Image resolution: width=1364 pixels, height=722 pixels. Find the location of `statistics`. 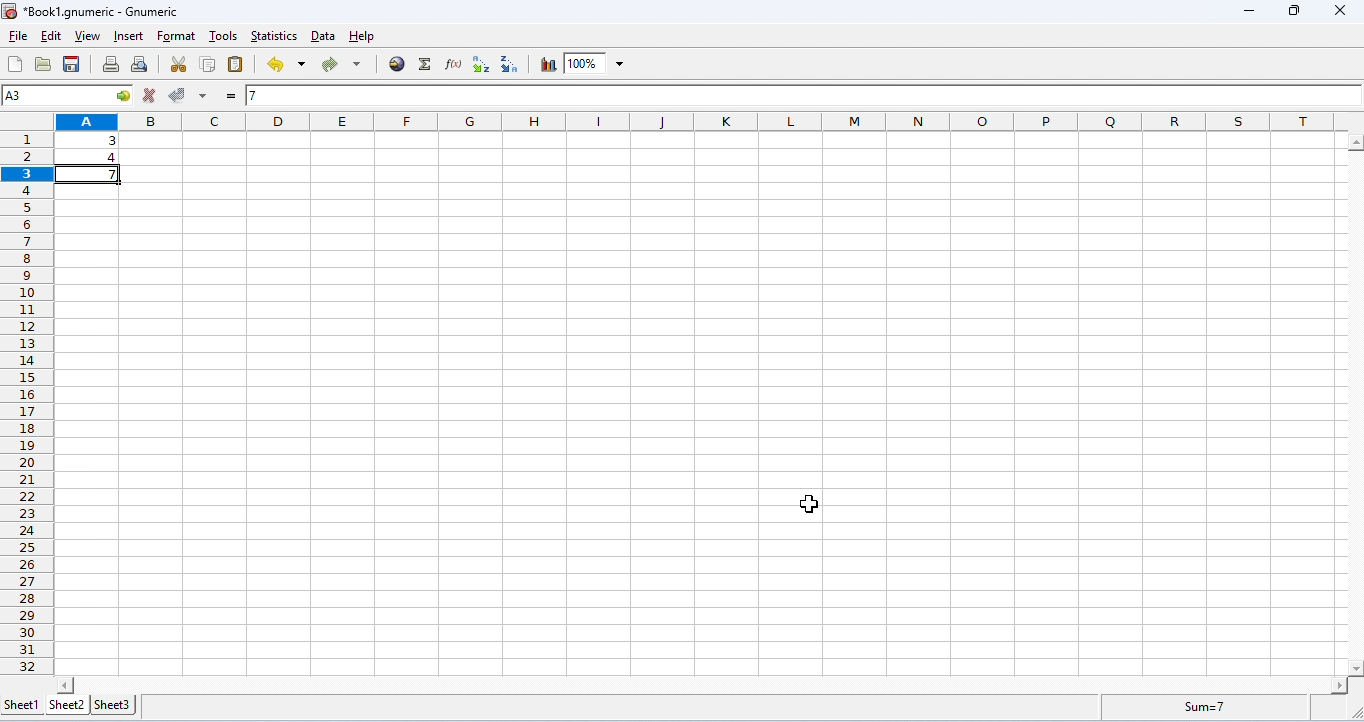

statistics is located at coordinates (275, 37).